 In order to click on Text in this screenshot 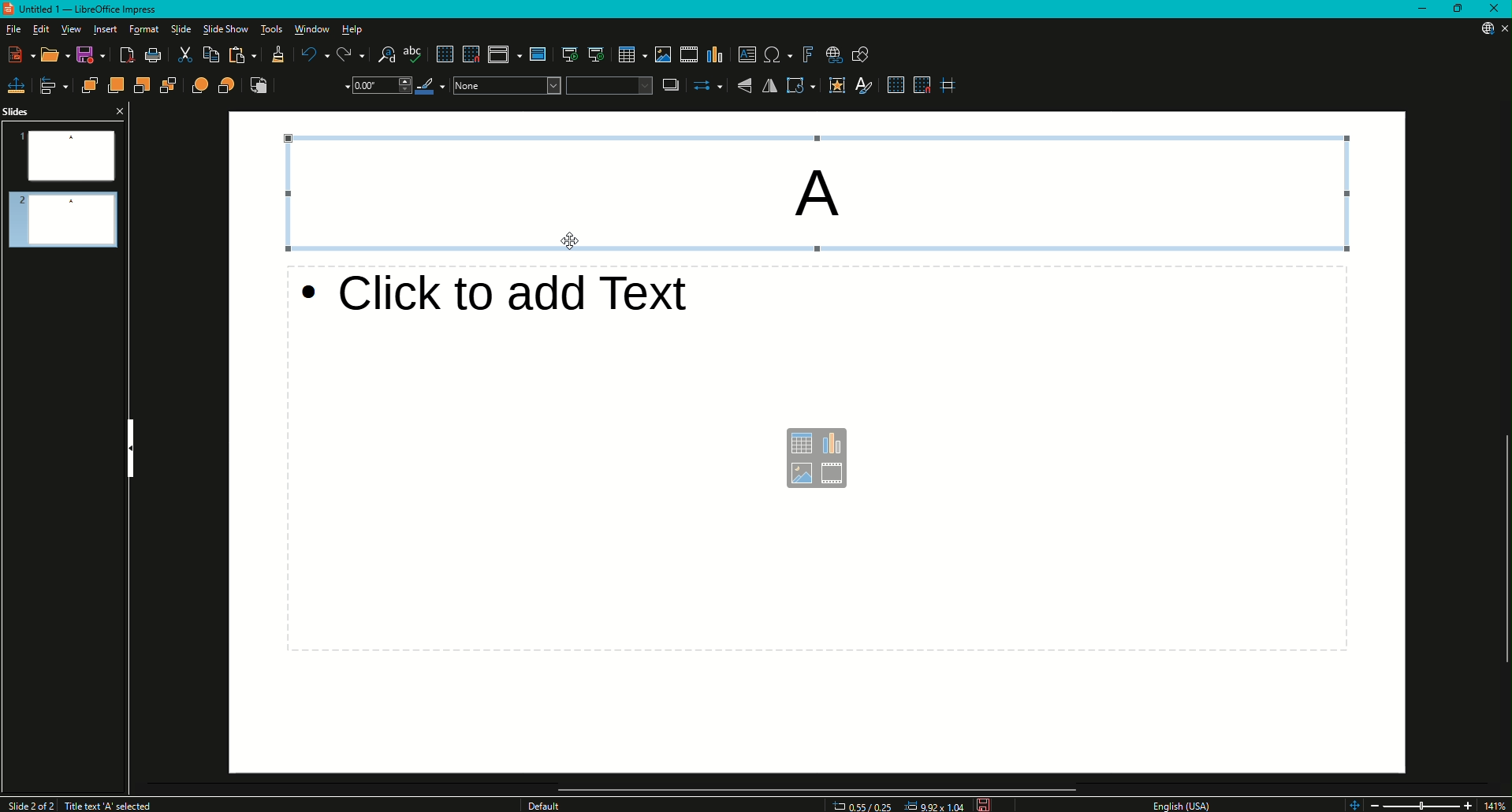, I will do `click(108, 804)`.